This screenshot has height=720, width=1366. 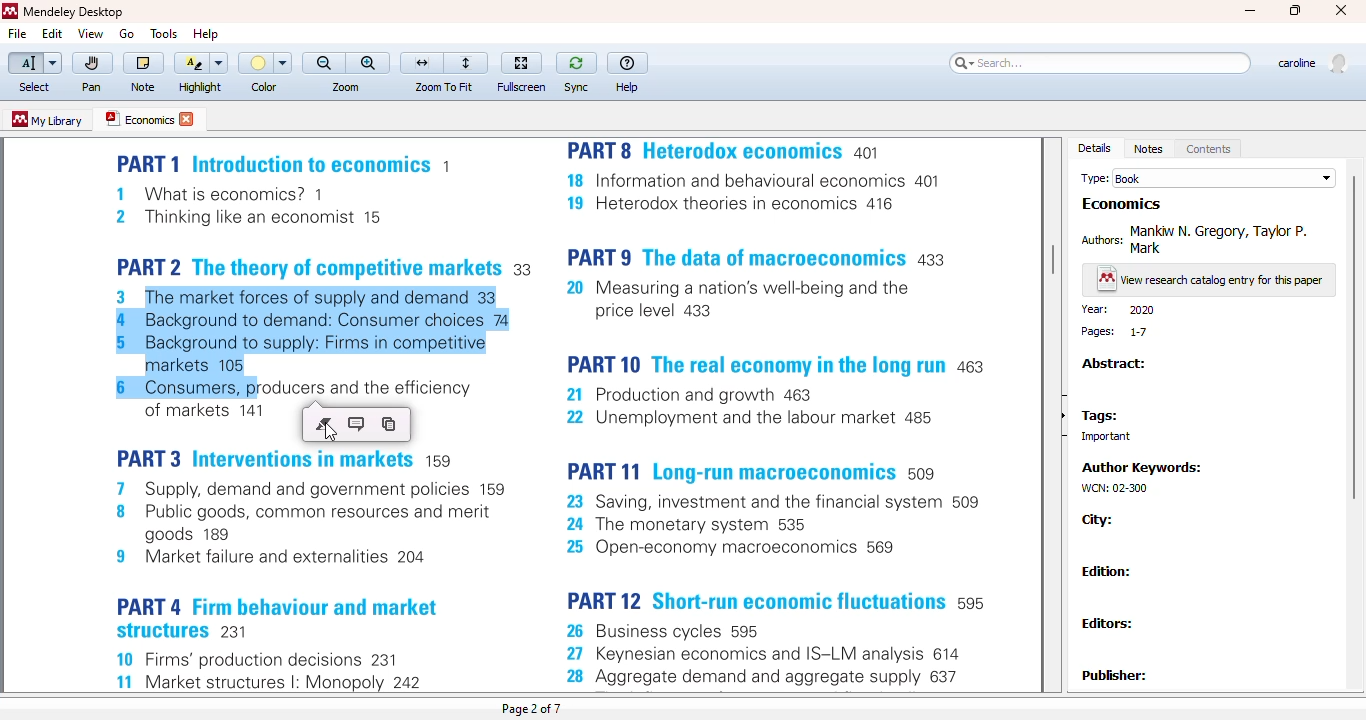 What do you see at coordinates (576, 87) in the screenshot?
I see `sync` at bounding box center [576, 87].